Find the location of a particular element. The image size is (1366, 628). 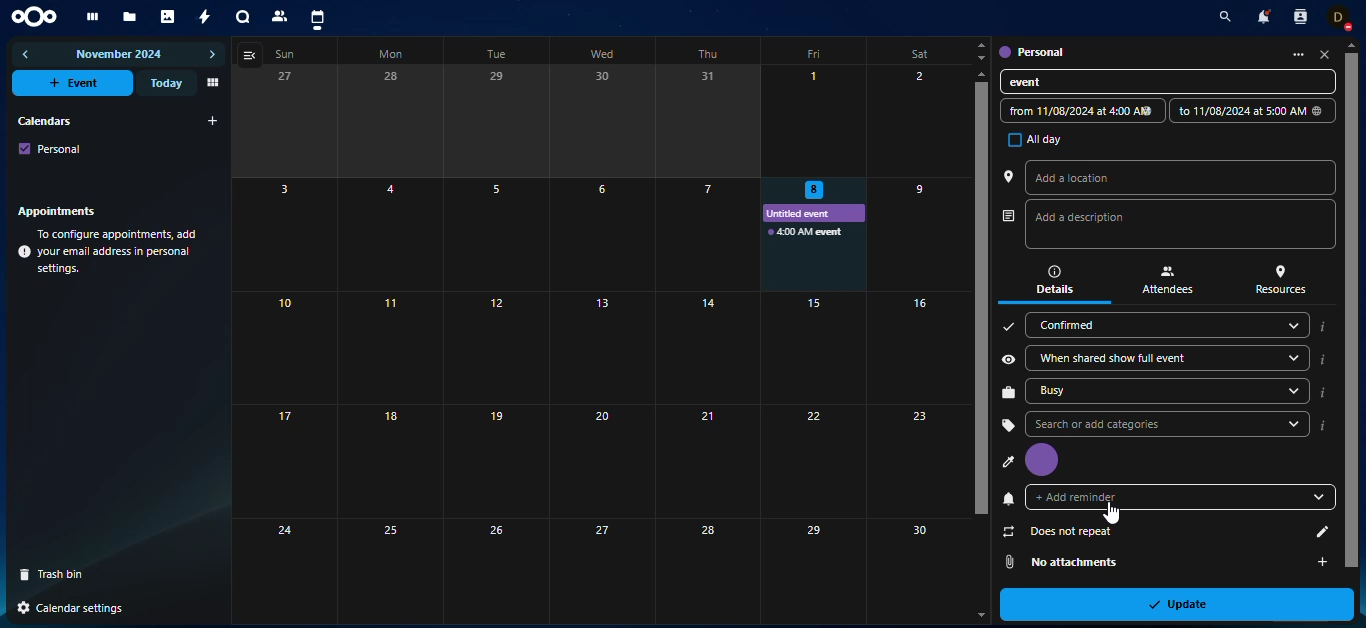

 is located at coordinates (89, 609).